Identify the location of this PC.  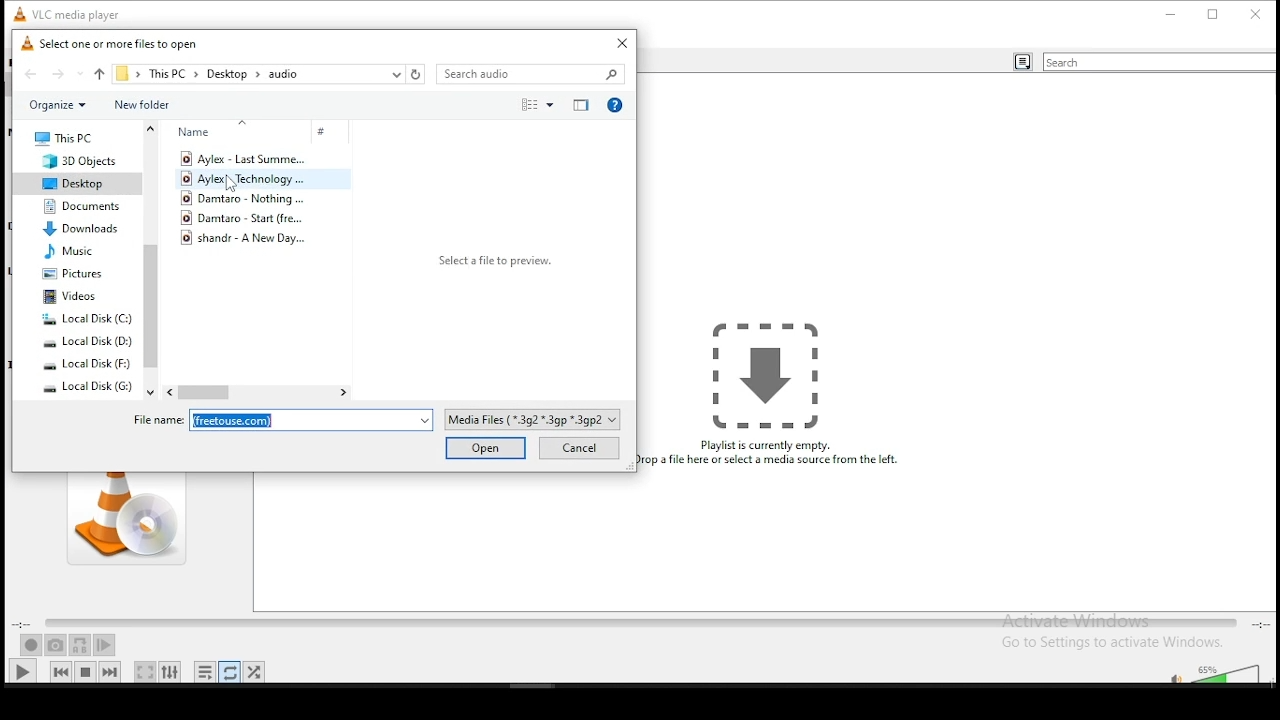
(170, 74).